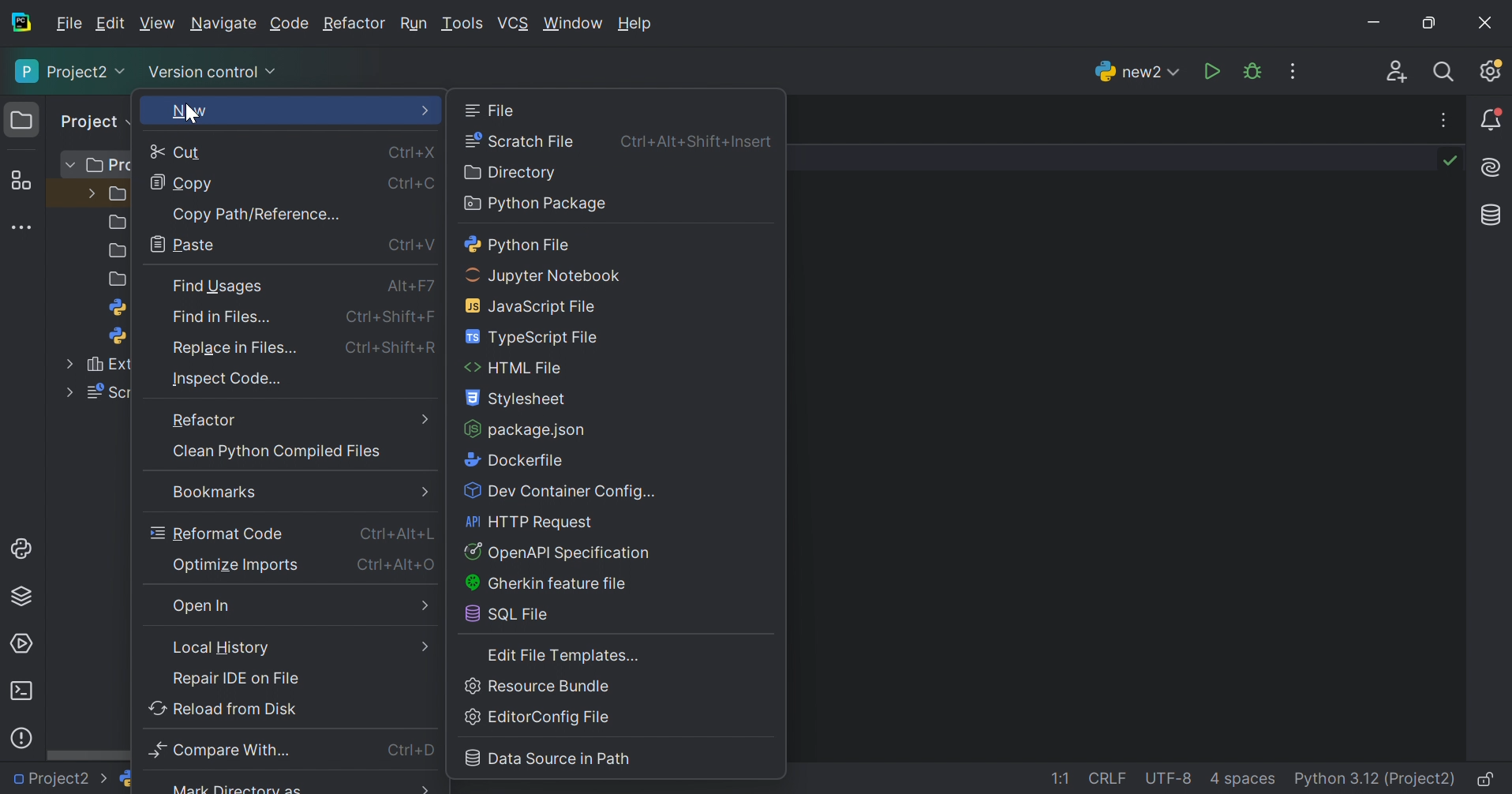 Image resolution: width=1512 pixels, height=794 pixels. What do you see at coordinates (1488, 781) in the screenshot?
I see `Make file read-only` at bounding box center [1488, 781].